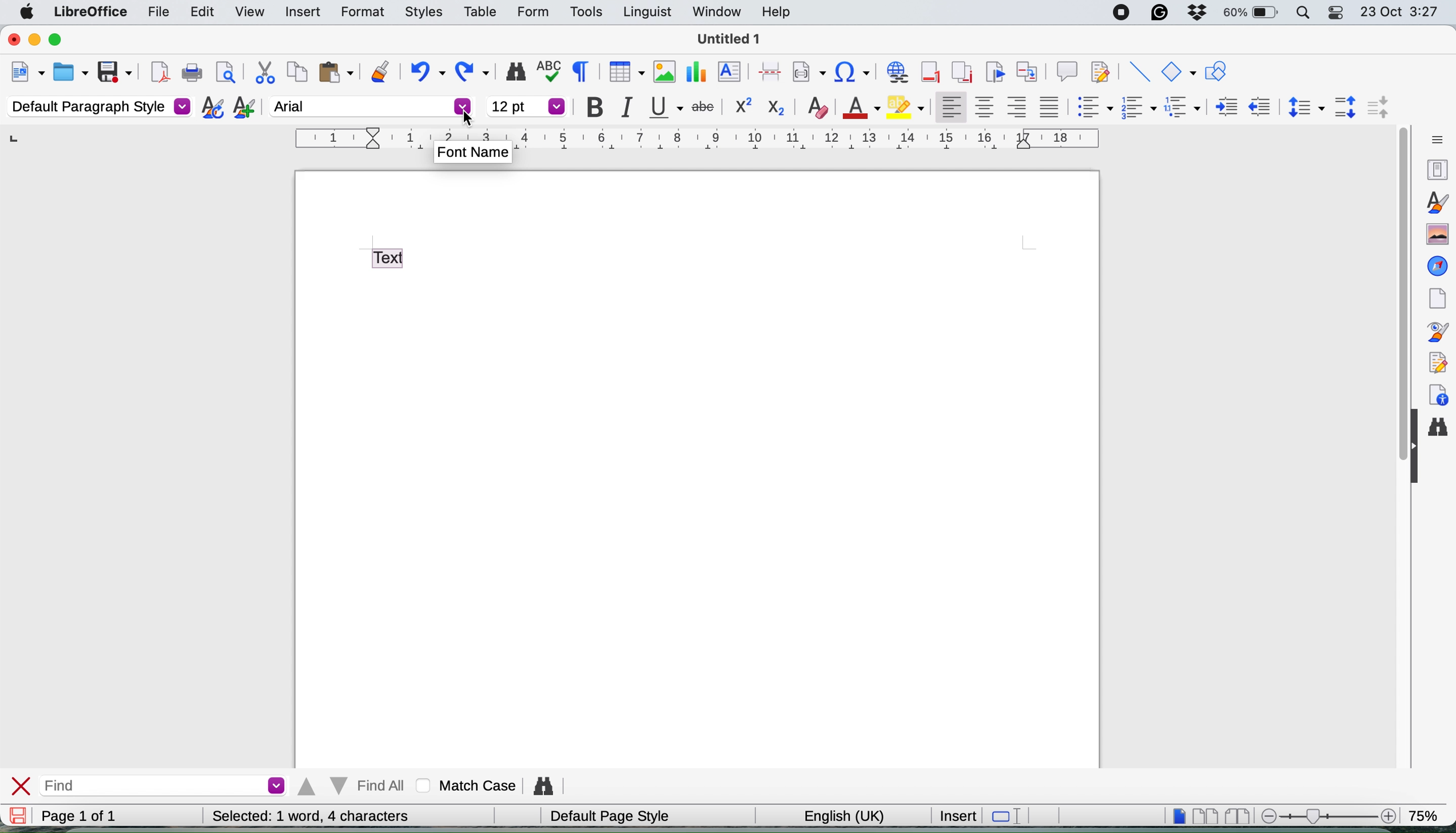 The height and width of the screenshot is (833, 1456). Describe the element at coordinates (590, 105) in the screenshot. I see `bold` at that location.